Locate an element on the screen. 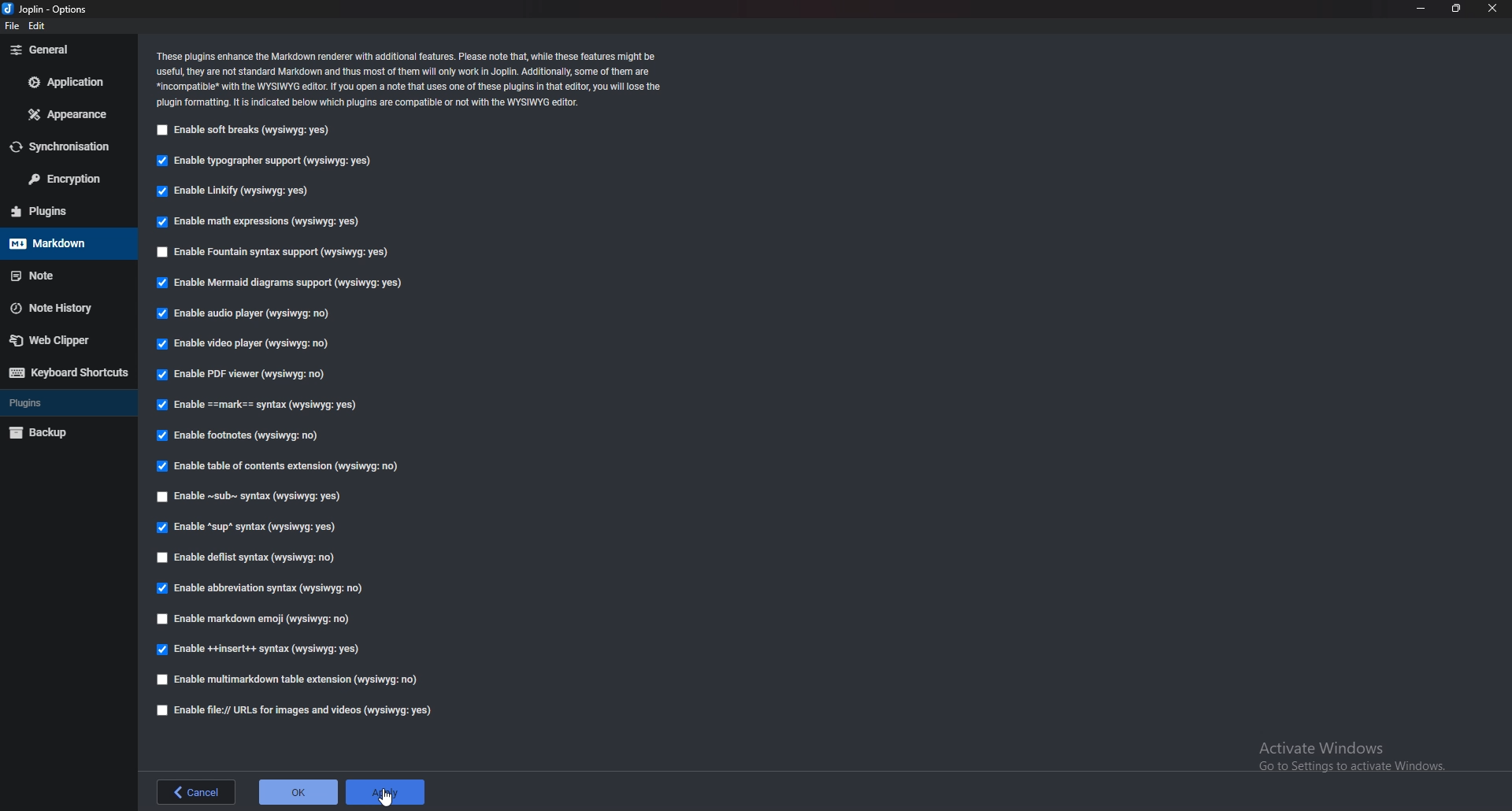 The height and width of the screenshot is (811, 1512). backup is located at coordinates (66, 432).